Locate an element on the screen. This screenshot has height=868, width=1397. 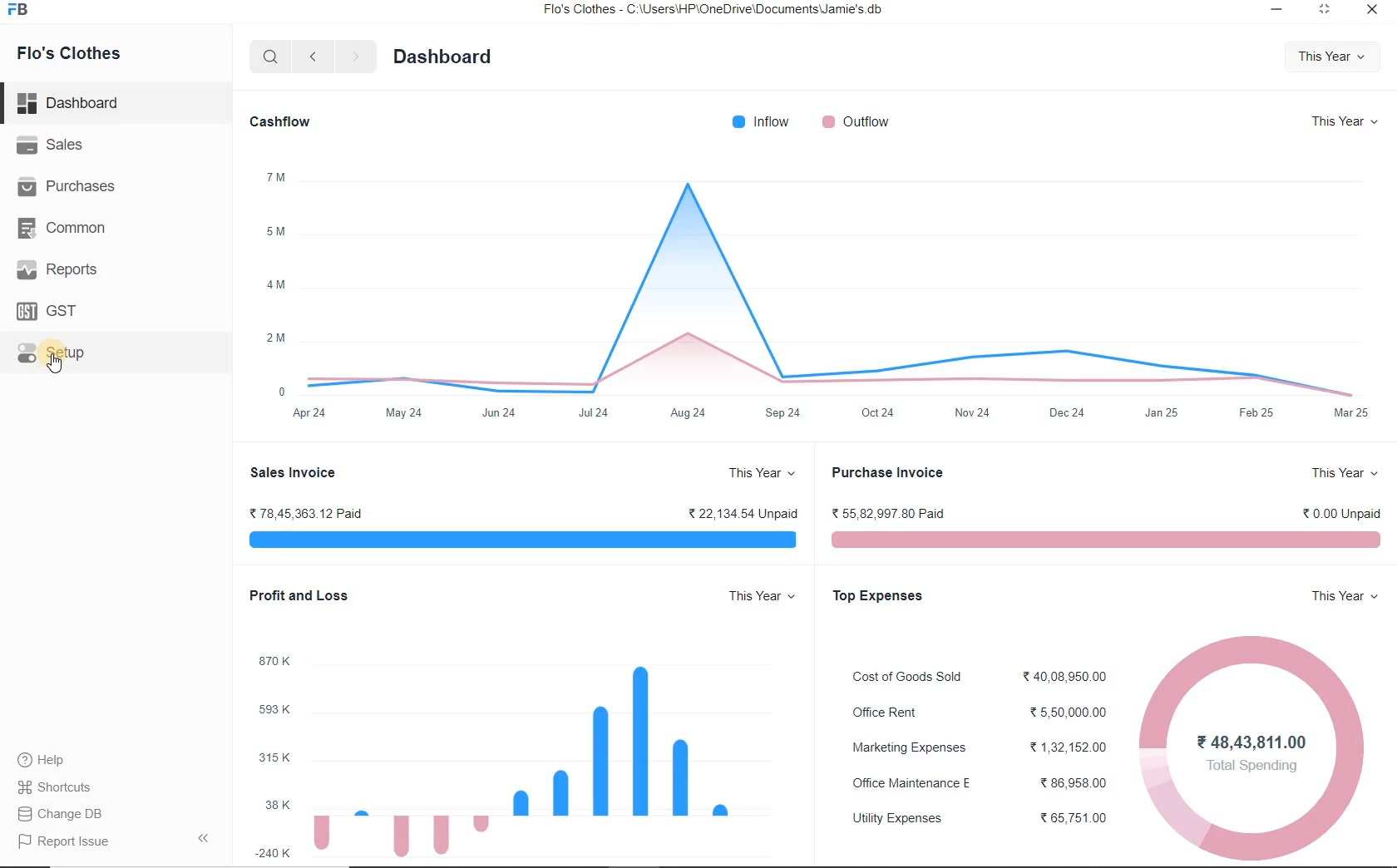
Flo's Clothes is located at coordinates (71, 52).